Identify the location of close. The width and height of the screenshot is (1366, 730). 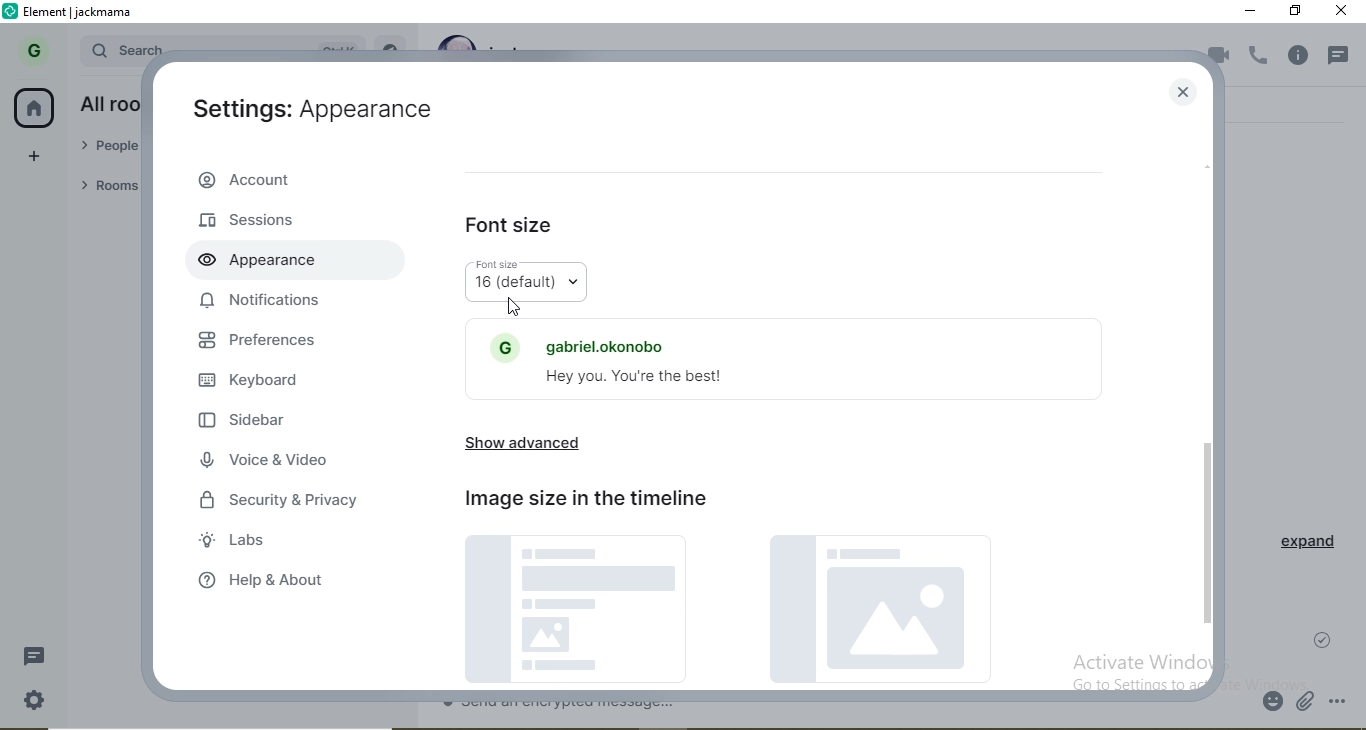
(1343, 14).